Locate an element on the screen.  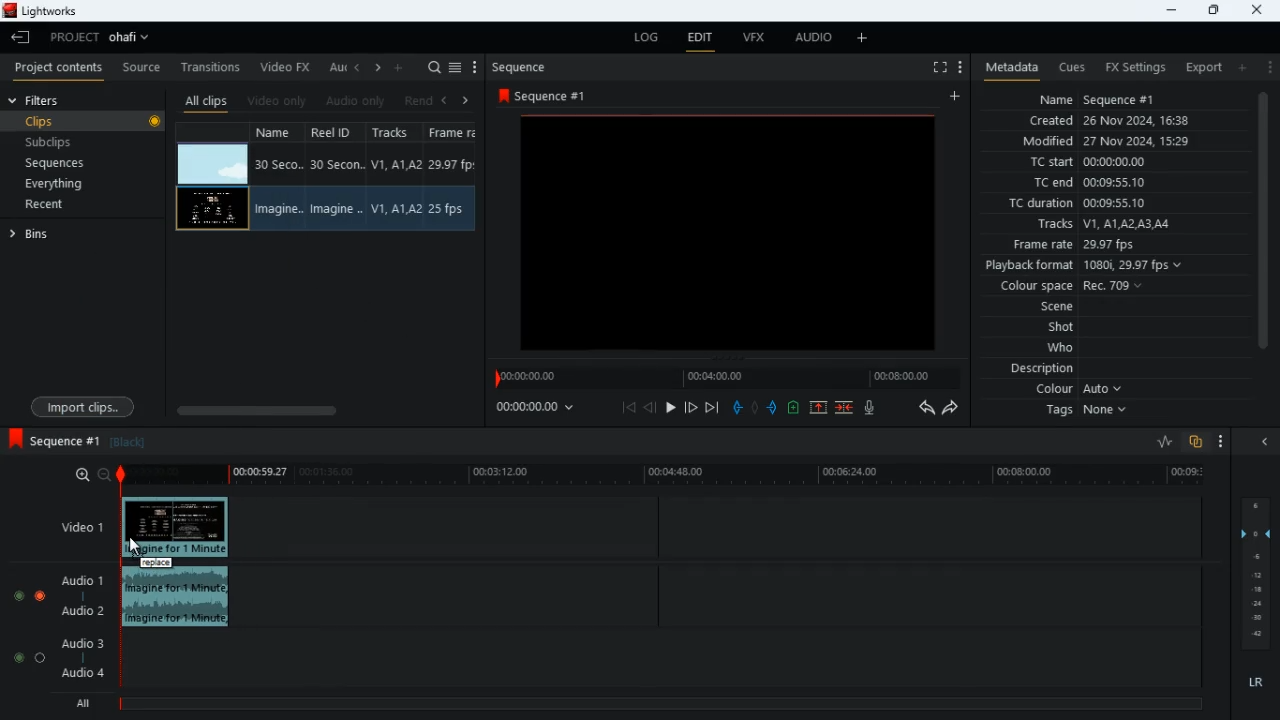
layers is located at coordinates (1259, 573).